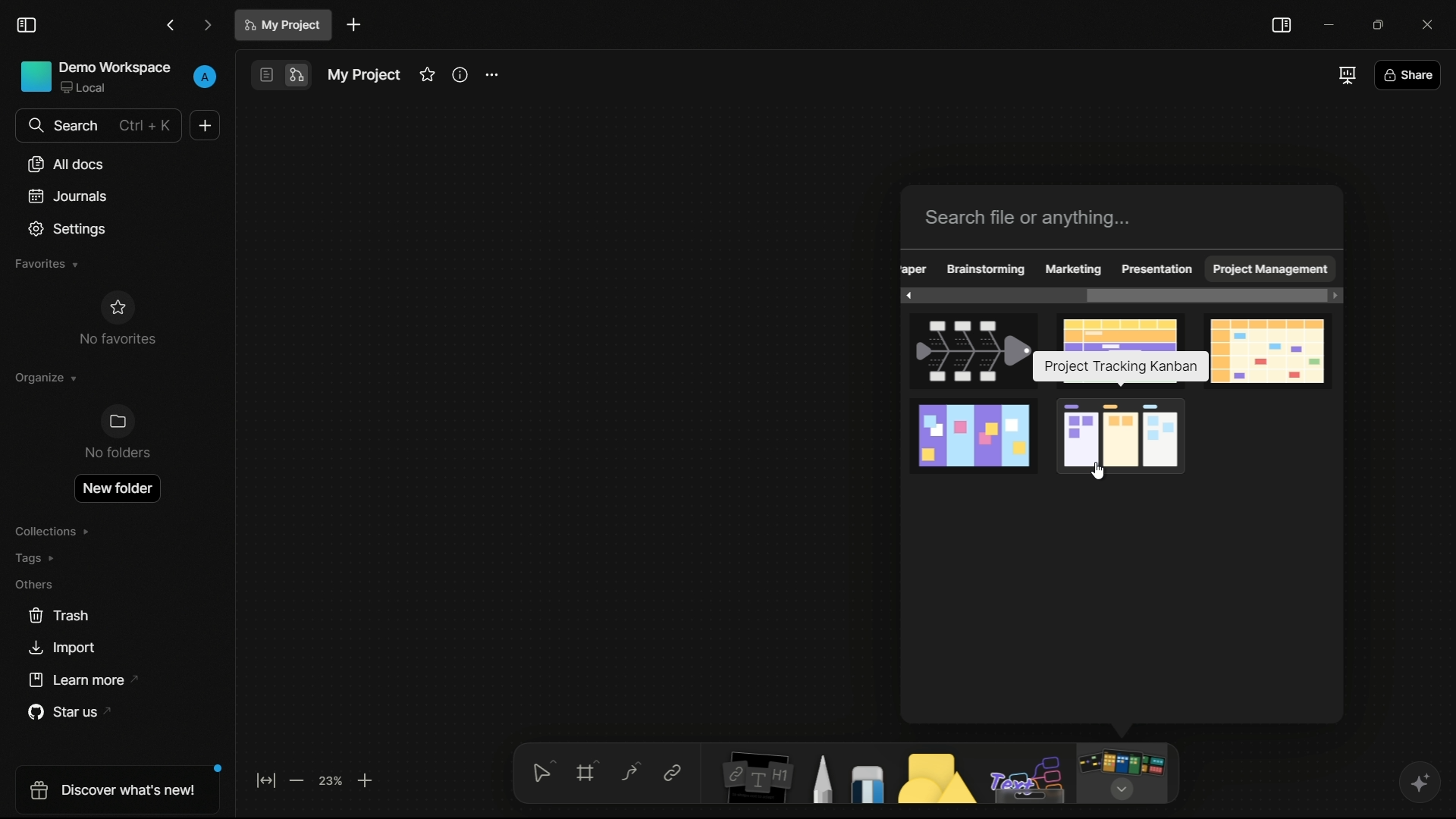 This screenshot has width=1456, height=819. Describe the element at coordinates (1331, 24) in the screenshot. I see `minimize` at that location.